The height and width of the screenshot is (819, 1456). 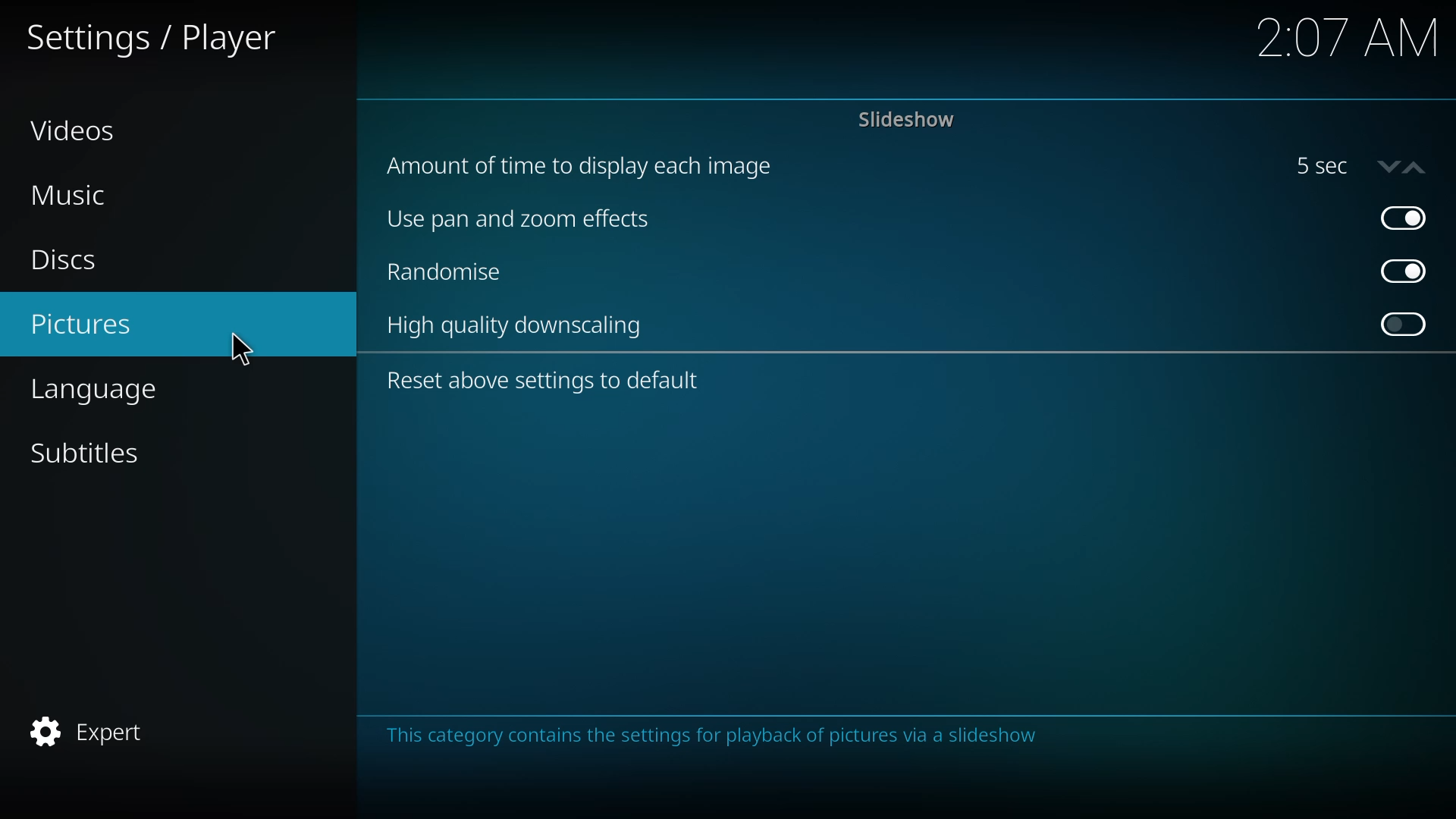 What do you see at coordinates (71, 195) in the screenshot?
I see `music` at bounding box center [71, 195].